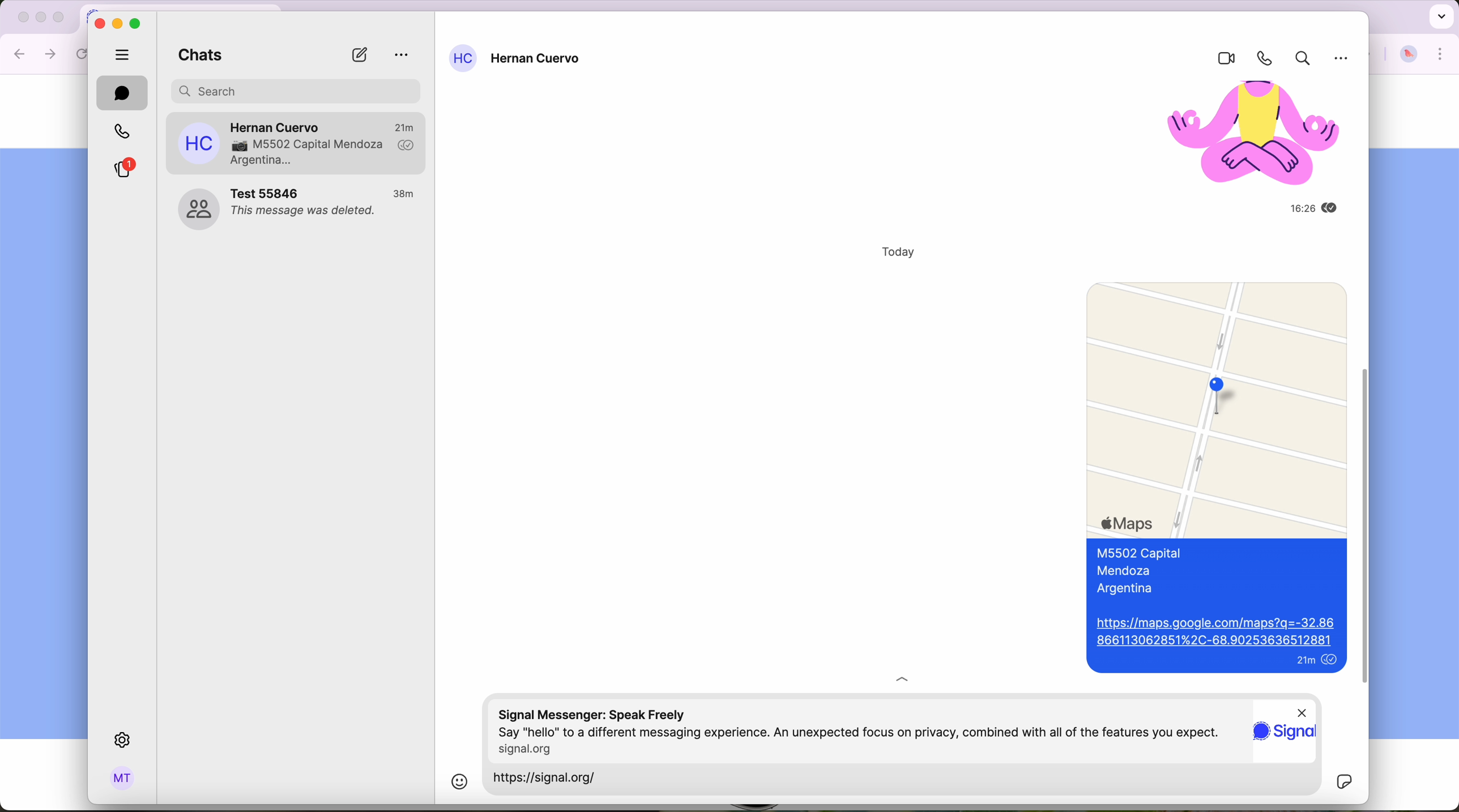  What do you see at coordinates (268, 193) in the screenshot?
I see `Test 55846` at bounding box center [268, 193].